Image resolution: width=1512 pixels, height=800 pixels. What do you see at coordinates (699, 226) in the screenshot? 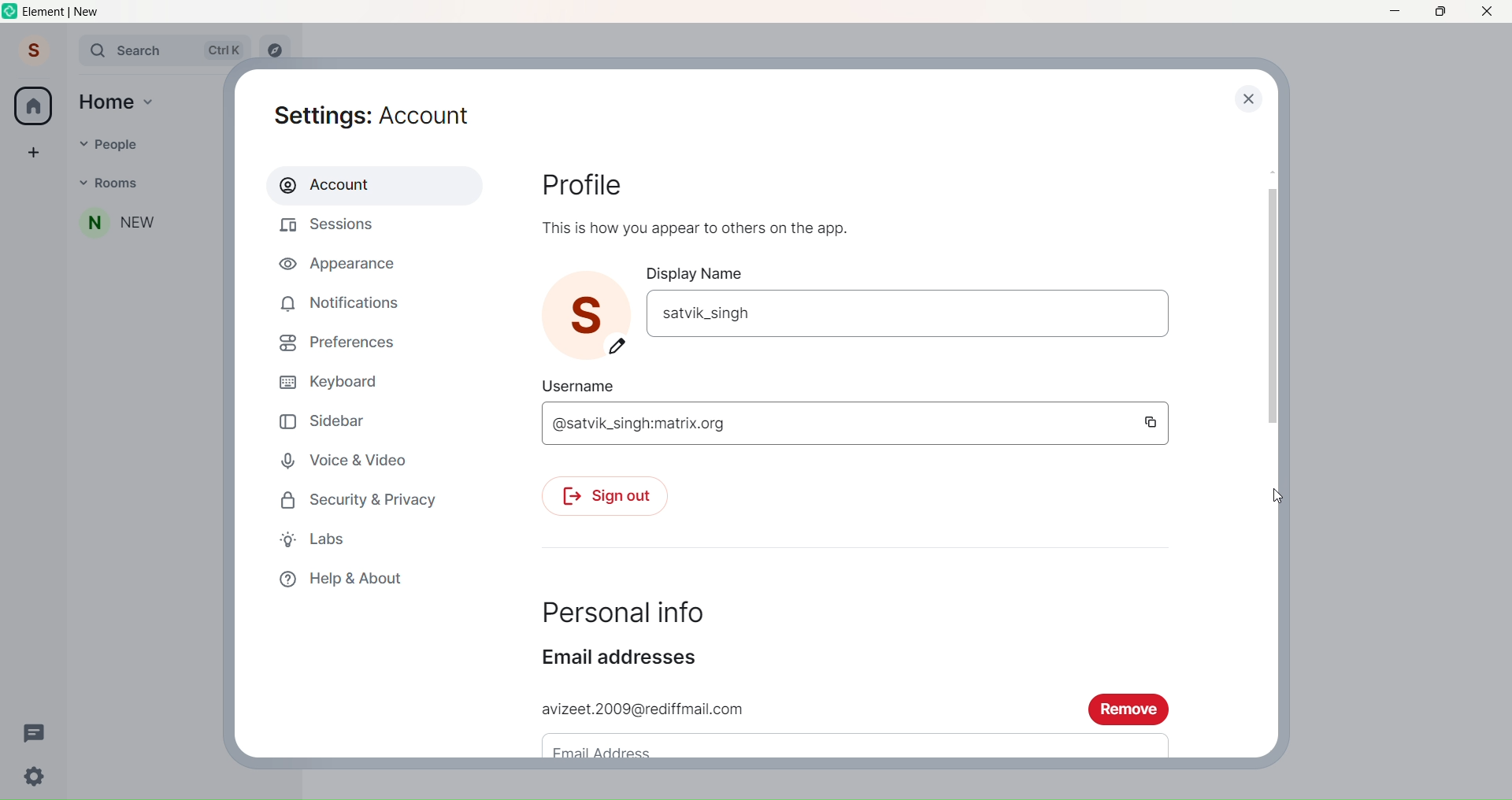
I see `Text` at bounding box center [699, 226].